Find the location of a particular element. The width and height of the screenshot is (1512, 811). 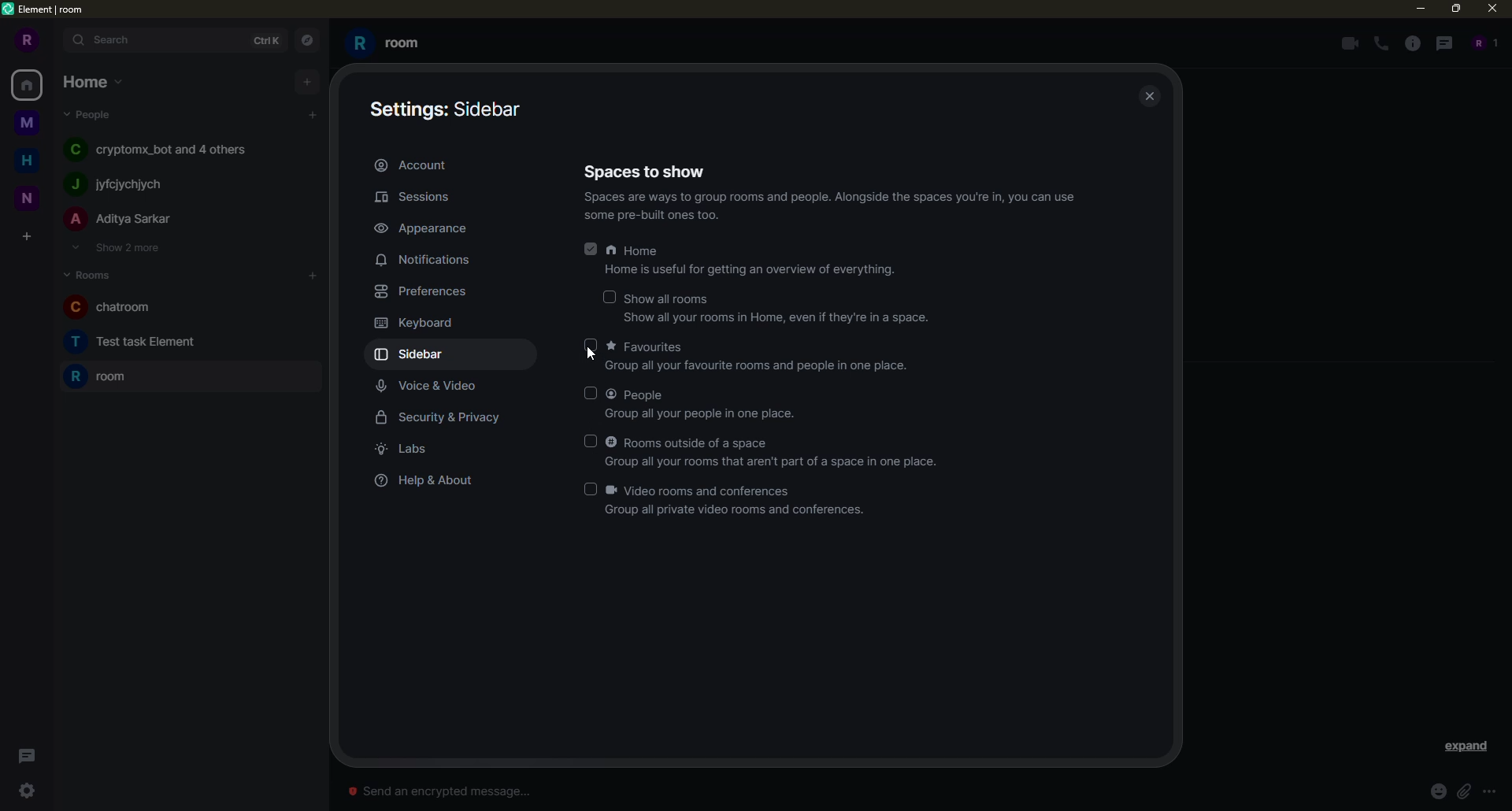

close is located at coordinates (1154, 97).